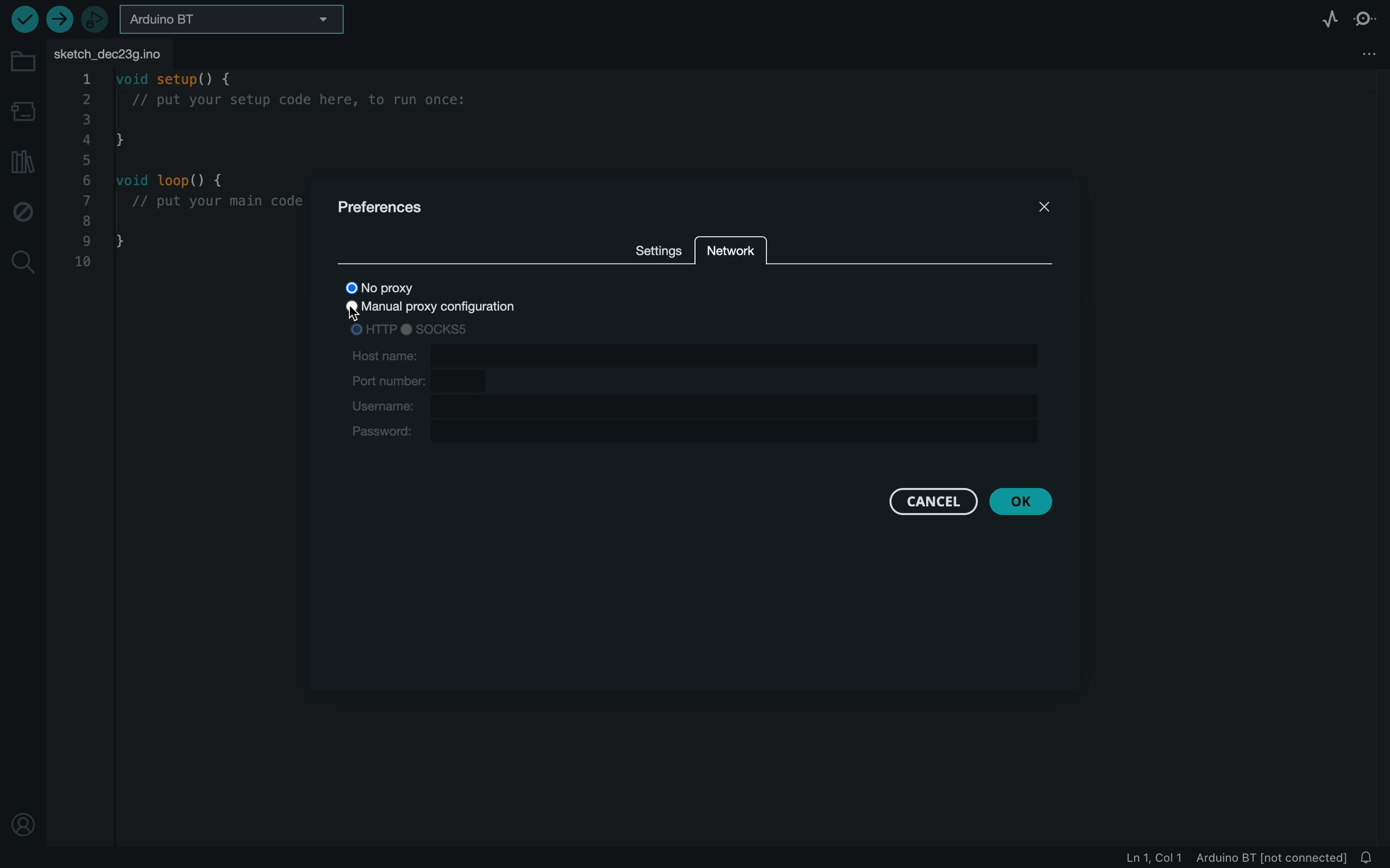  Describe the element at coordinates (1034, 501) in the screenshot. I see `ok` at that location.